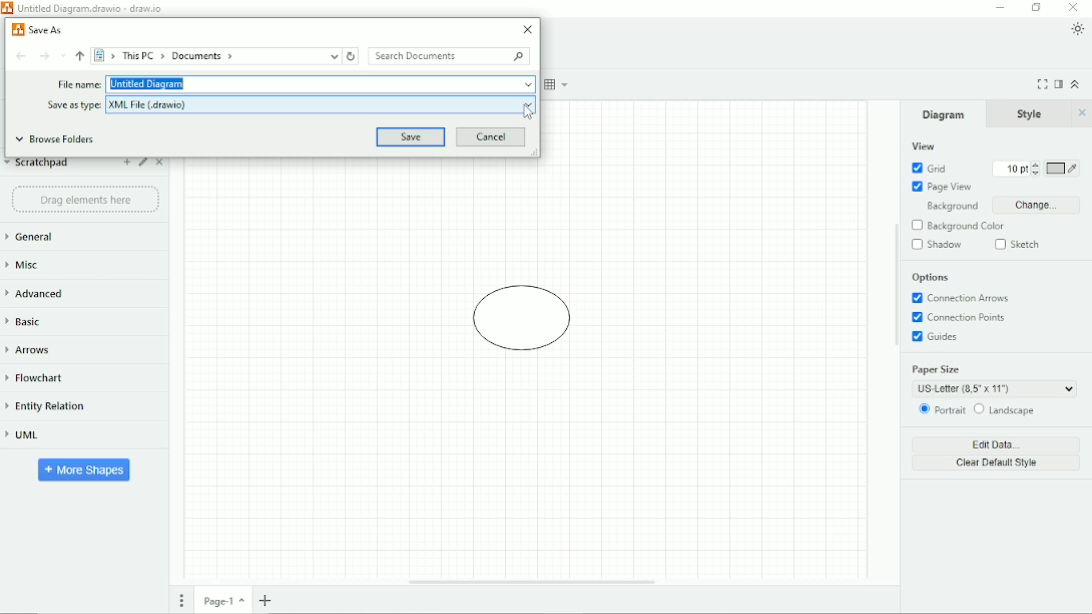 The width and height of the screenshot is (1092, 614). What do you see at coordinates (1036, 8) in the screenshot?
I see `Restore down` at bounding box center [1036, 8].